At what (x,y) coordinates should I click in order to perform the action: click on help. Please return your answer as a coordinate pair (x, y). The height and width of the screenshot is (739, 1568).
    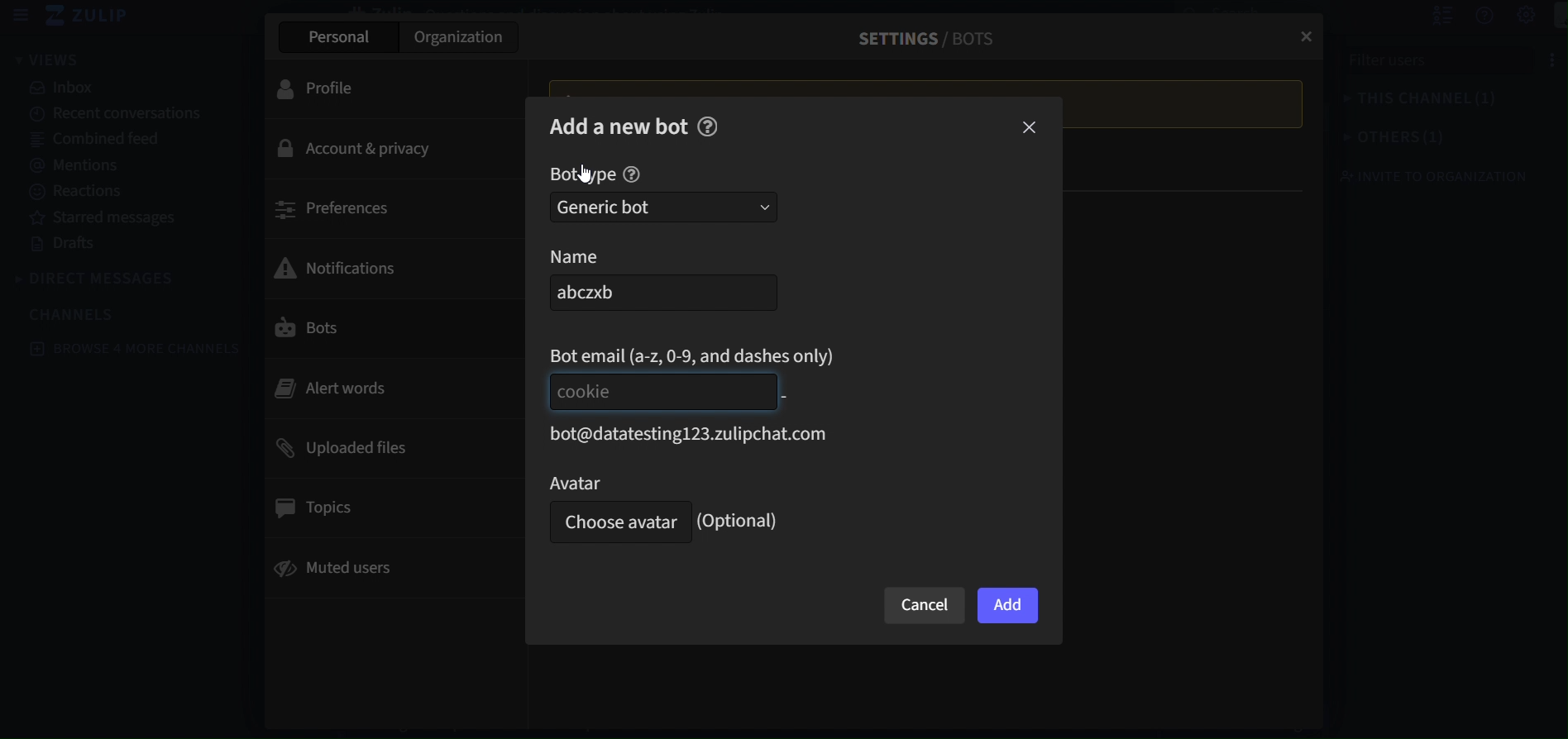
    Looking at the image, I should click on (632, 175).